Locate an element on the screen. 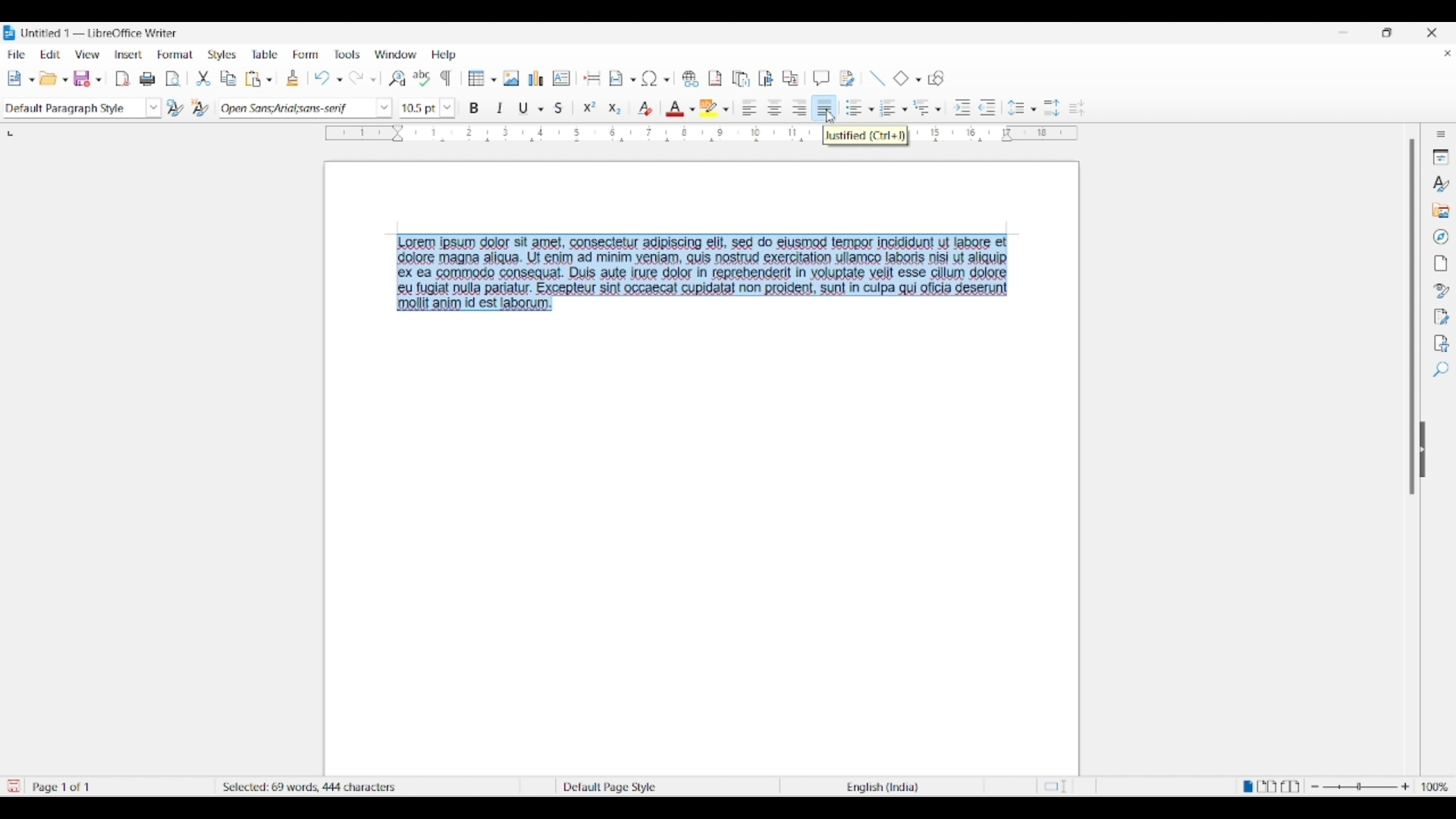 This screenshot has width=1456, height=819. Paste options is located at coordinates (269, 79).